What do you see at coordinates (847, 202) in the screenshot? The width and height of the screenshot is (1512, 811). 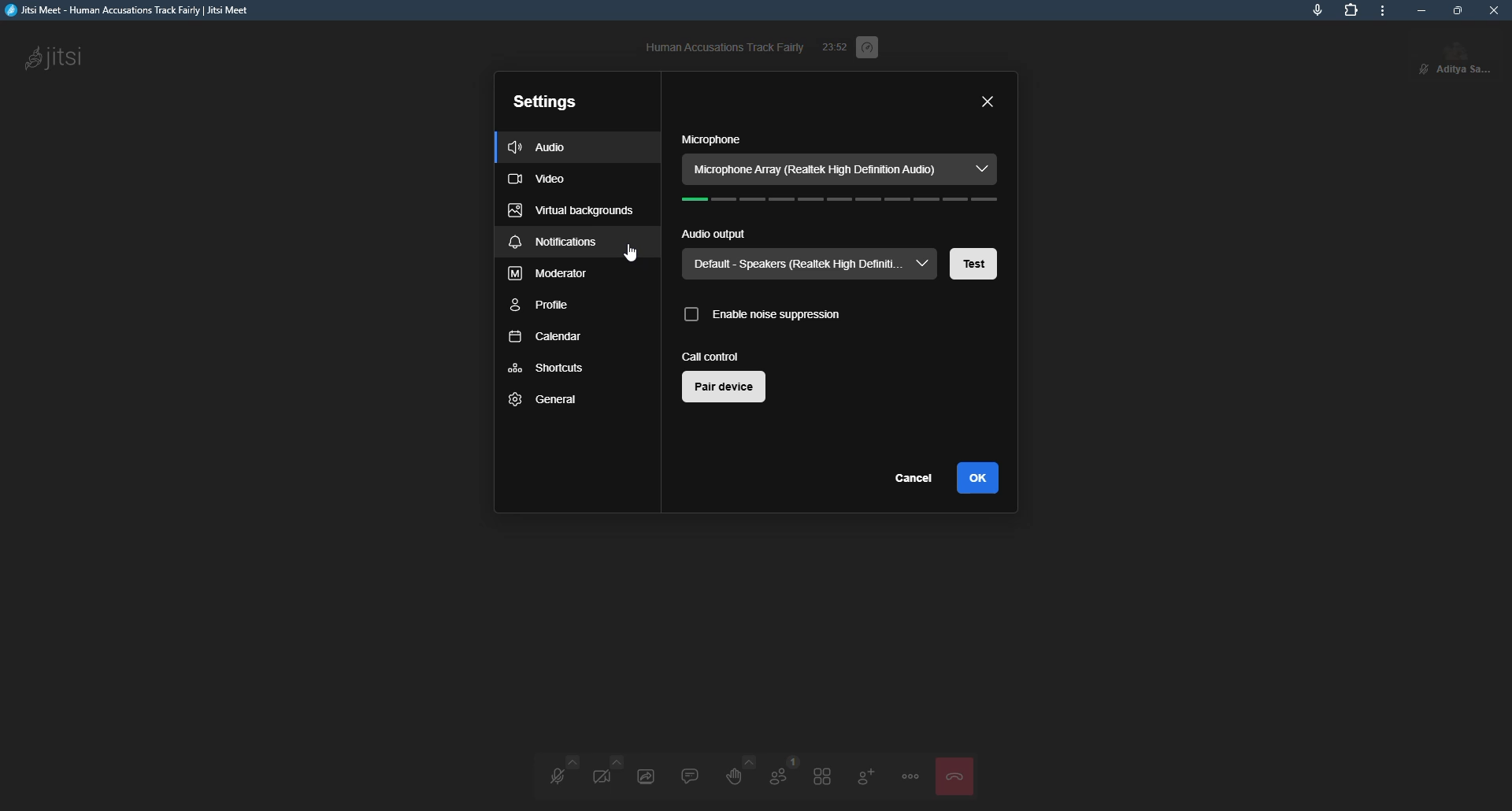 I see `mic level` at bounding box center [847, 202].